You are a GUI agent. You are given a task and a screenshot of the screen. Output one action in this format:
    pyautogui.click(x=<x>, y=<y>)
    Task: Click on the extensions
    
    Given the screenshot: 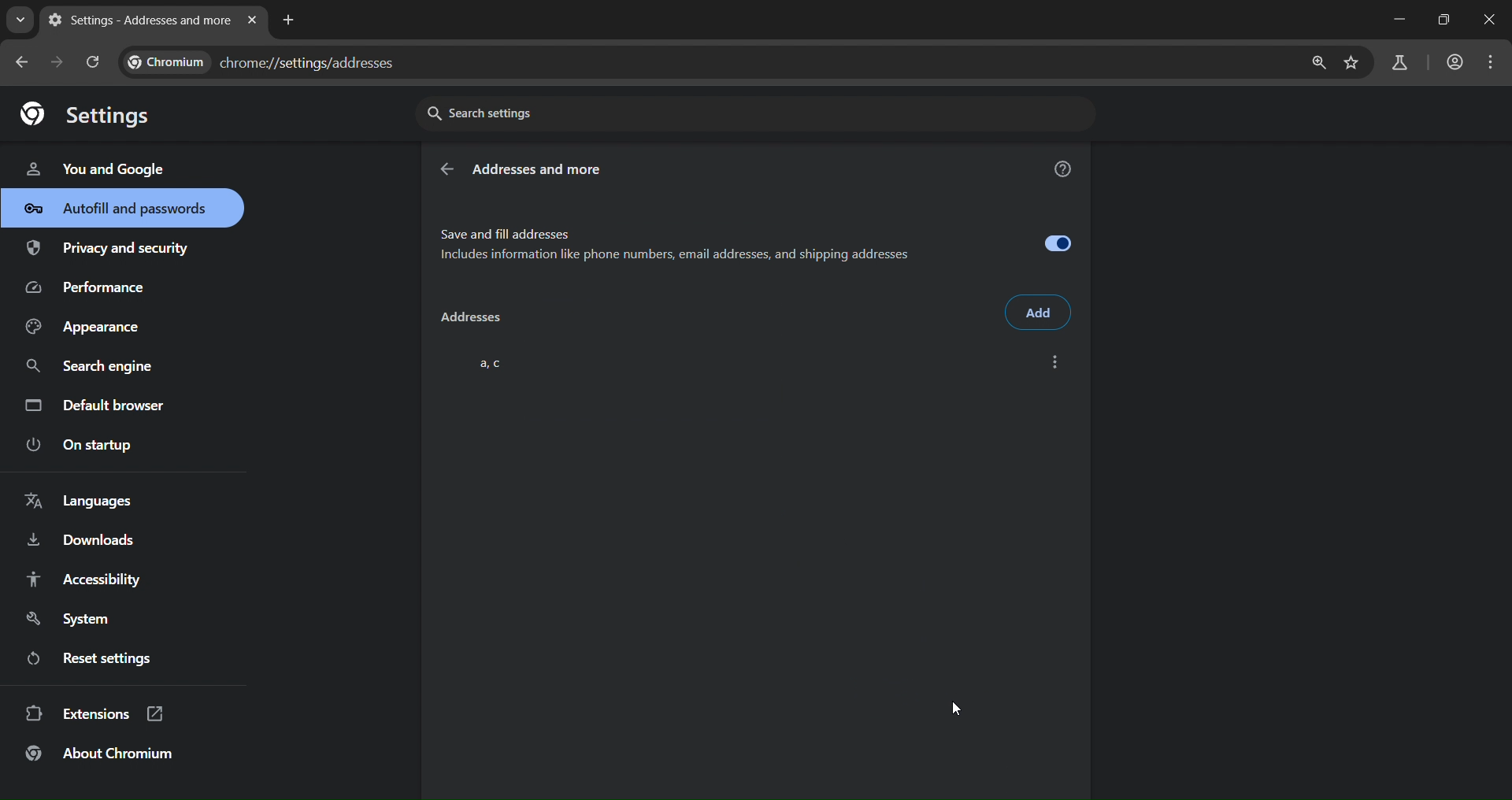 What is the action you would take?
    pyautogui.click(x=95, y=712)
    